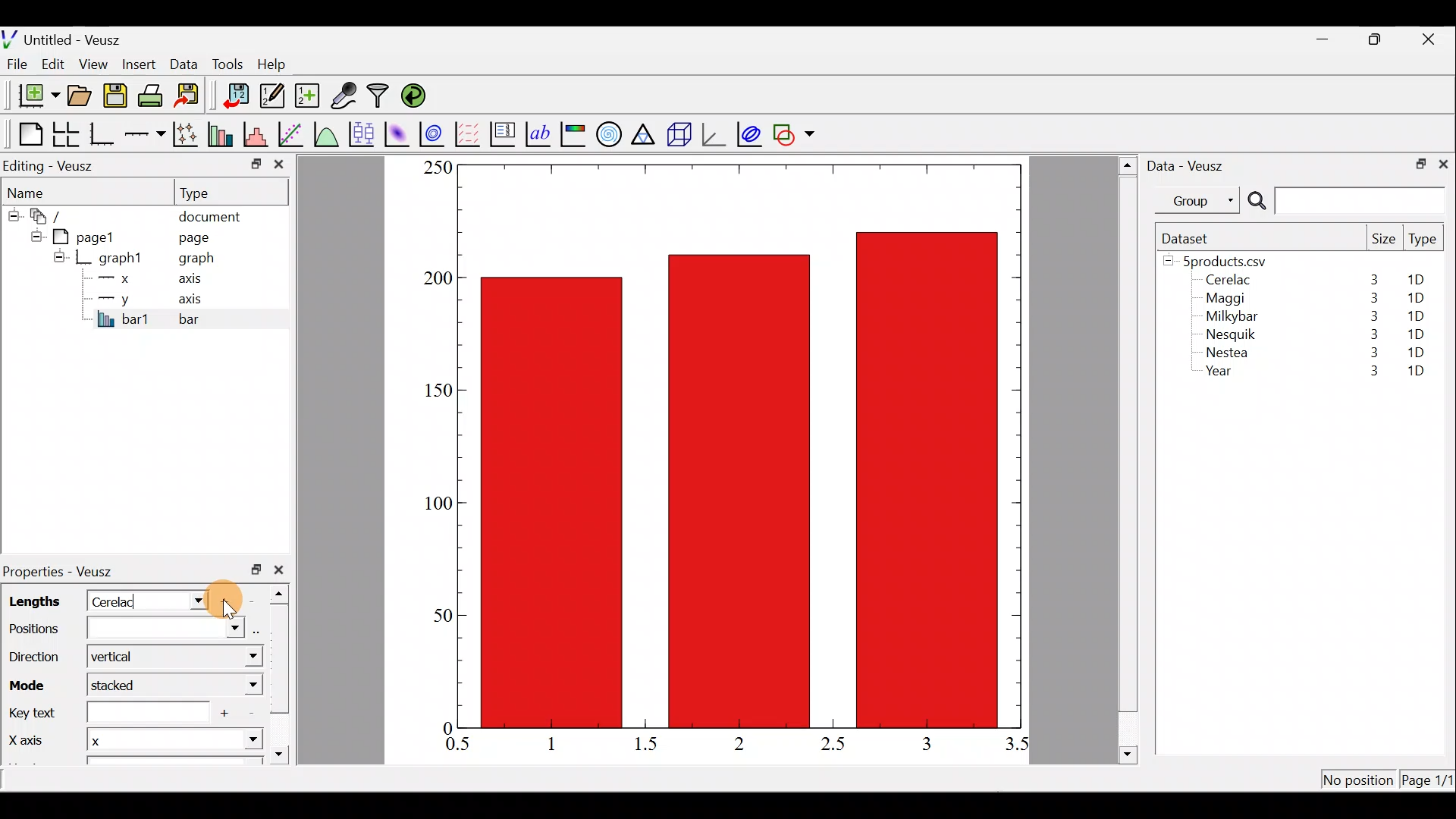 The width and height of the screenshot is (1456, 819). I want to click on scroll bar, so click(284, 670).